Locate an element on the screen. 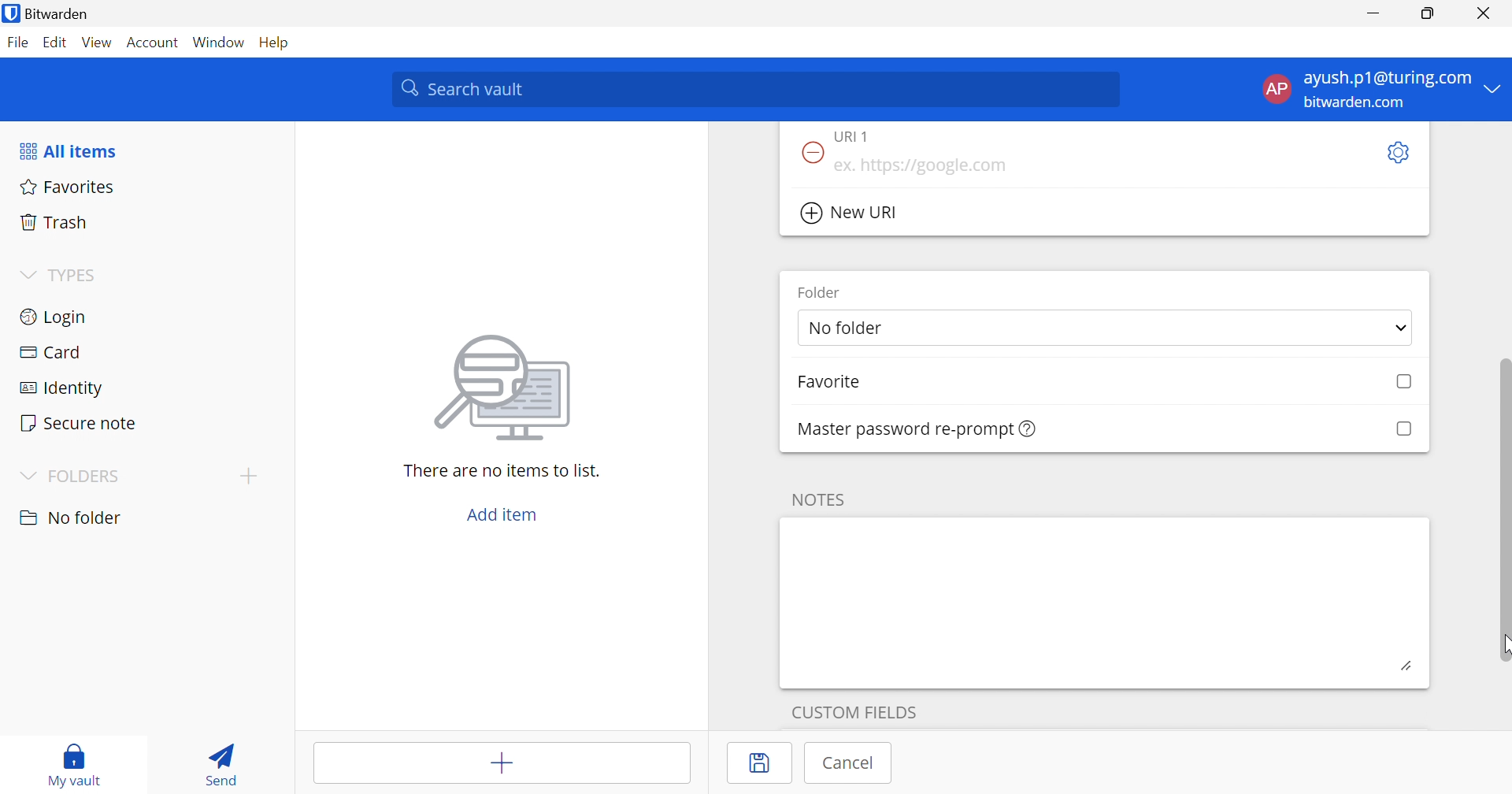 The height and width of the screenshot is (794, 1512). ex. https://google.com is located at coordinates (920, 166).